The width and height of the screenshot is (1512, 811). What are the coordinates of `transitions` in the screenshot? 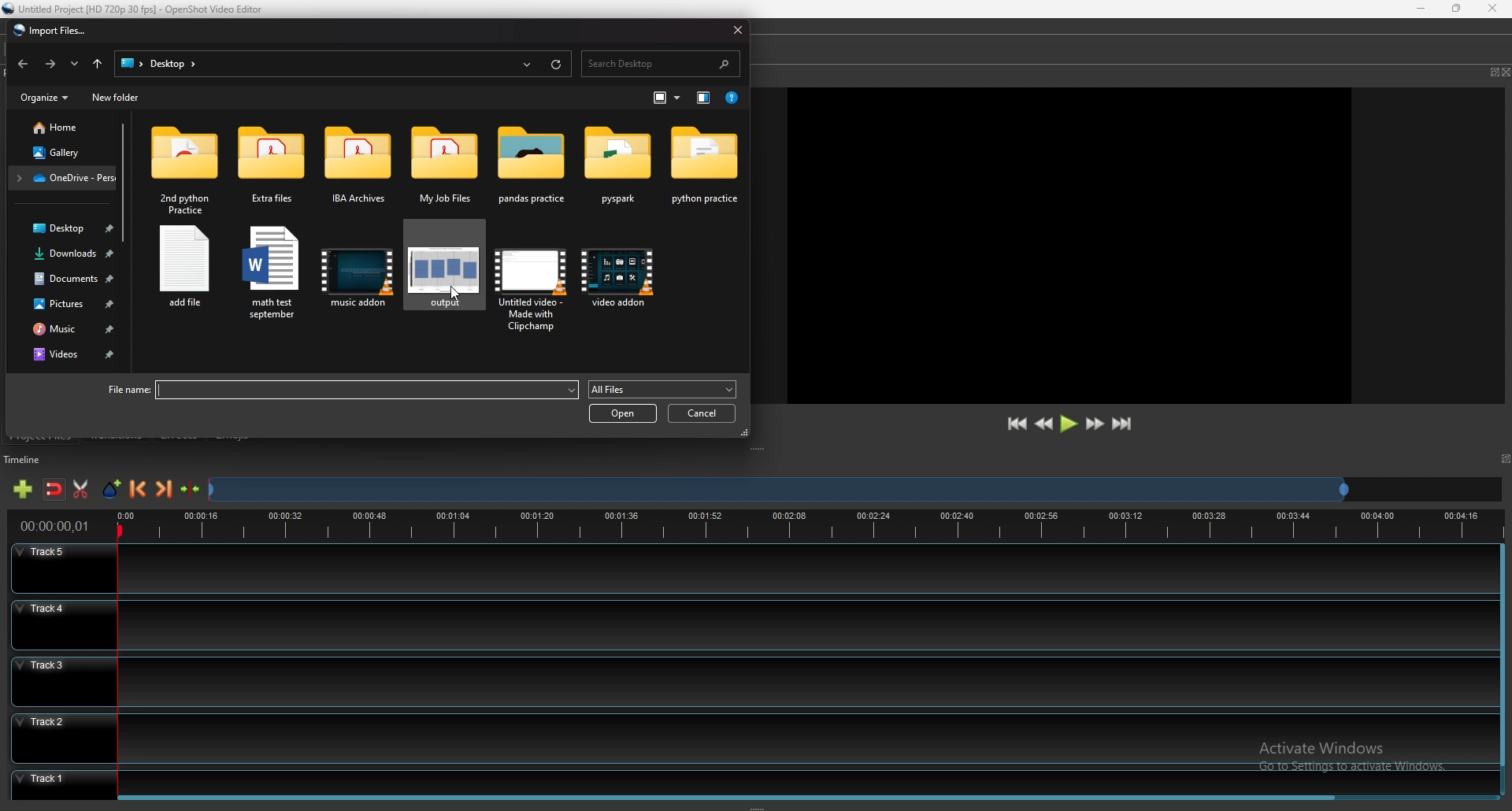 It's located at (117, 435).